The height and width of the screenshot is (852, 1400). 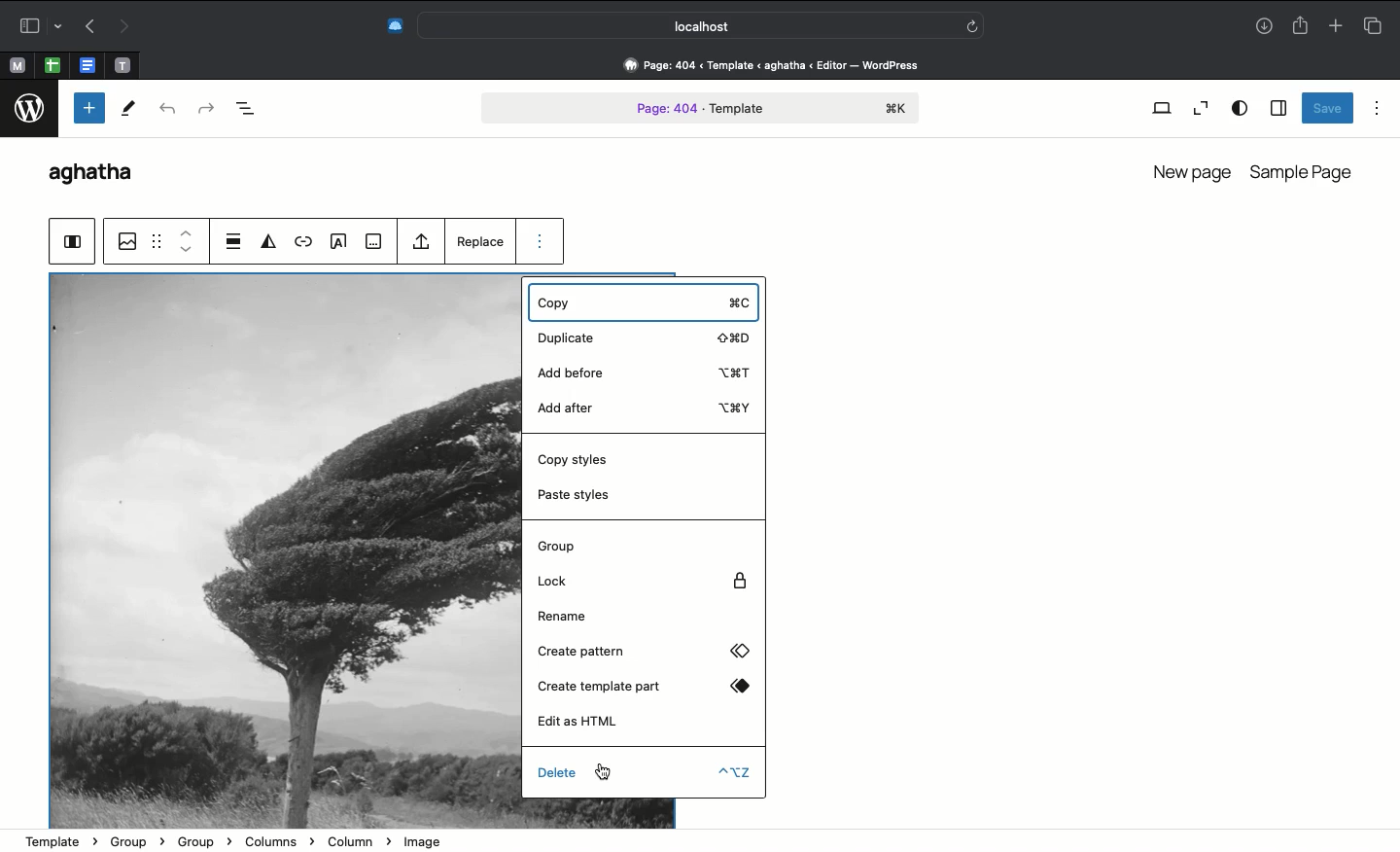 I want to click on Document overview, so click(x=246, y=111).